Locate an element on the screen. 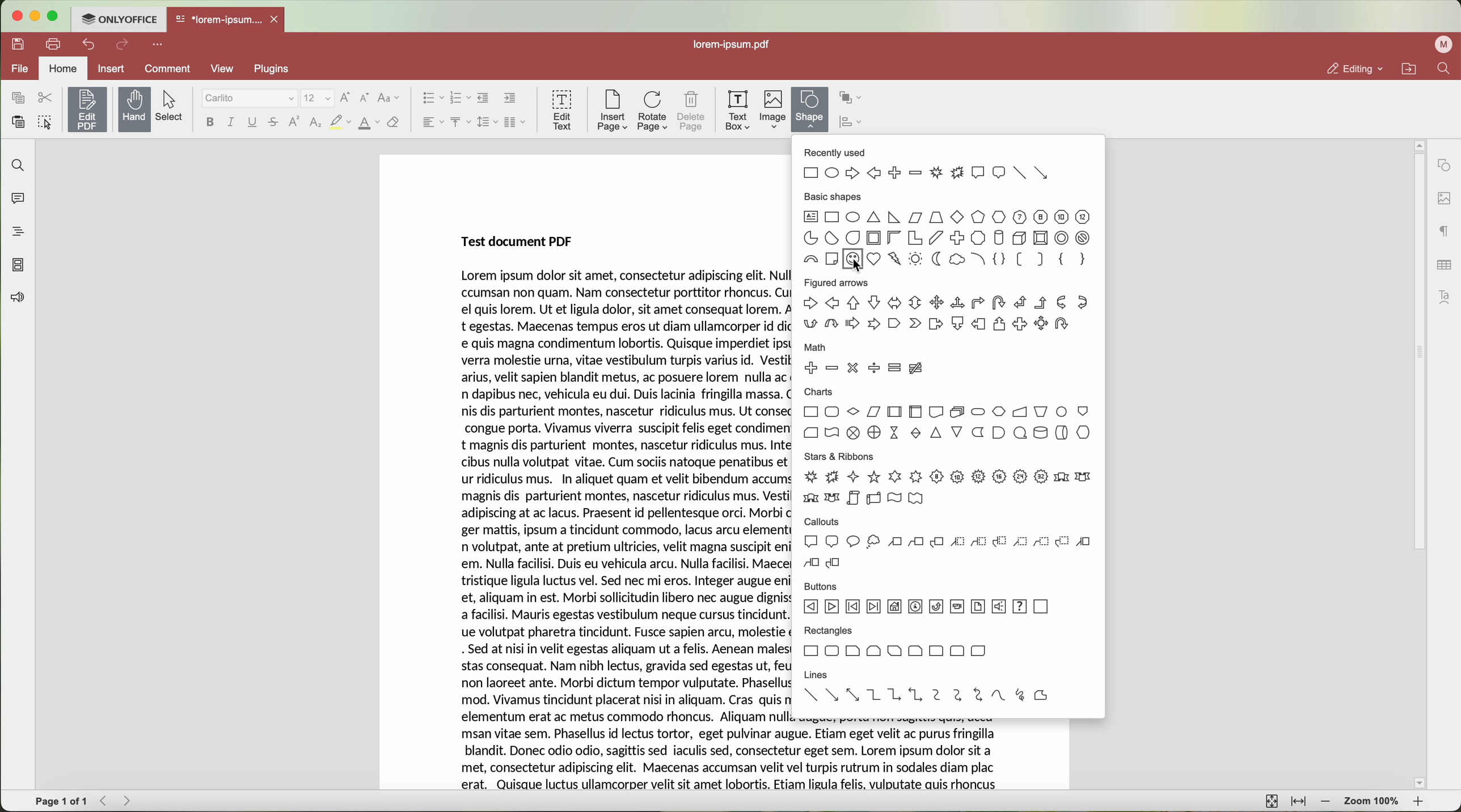 The image size is (1461, 812). profile is located at coordinates (1441, 45).